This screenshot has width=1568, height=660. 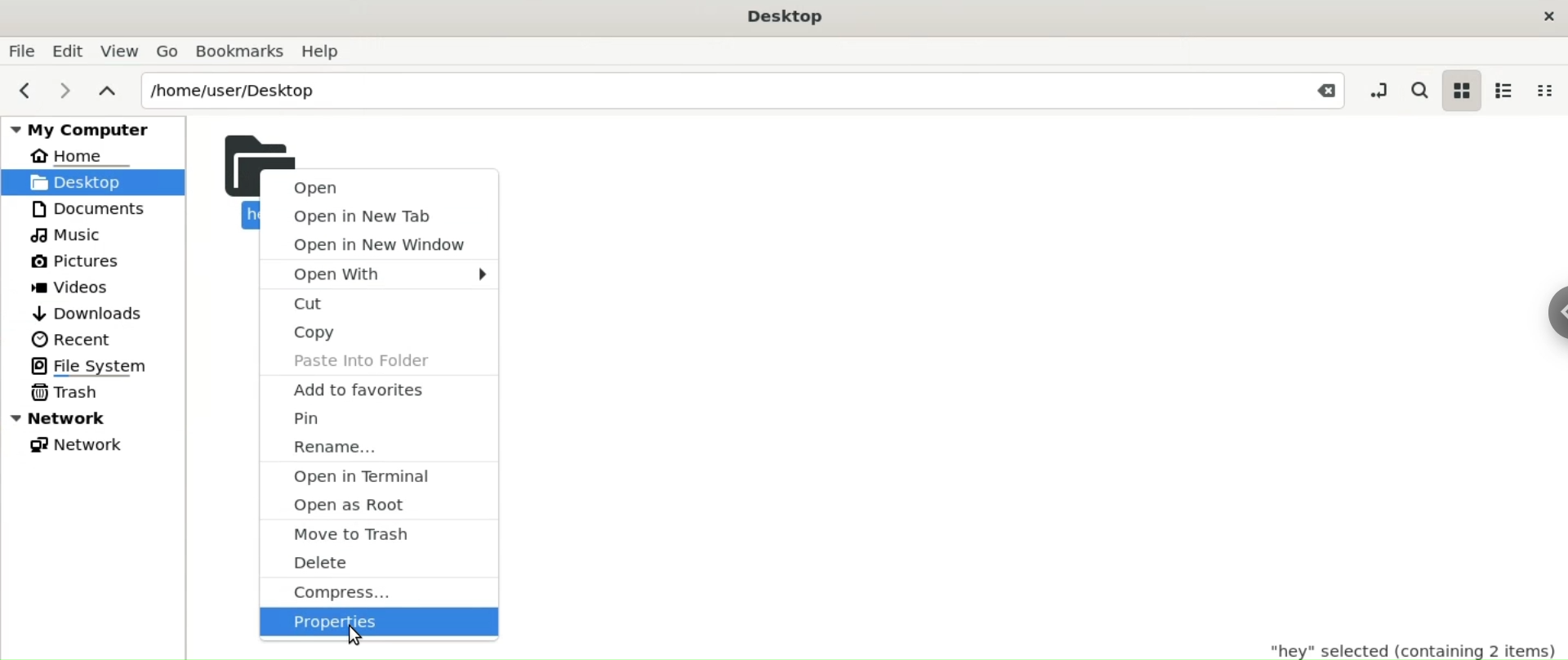 I want to click on open in new tab, so click(x=378, y=216).